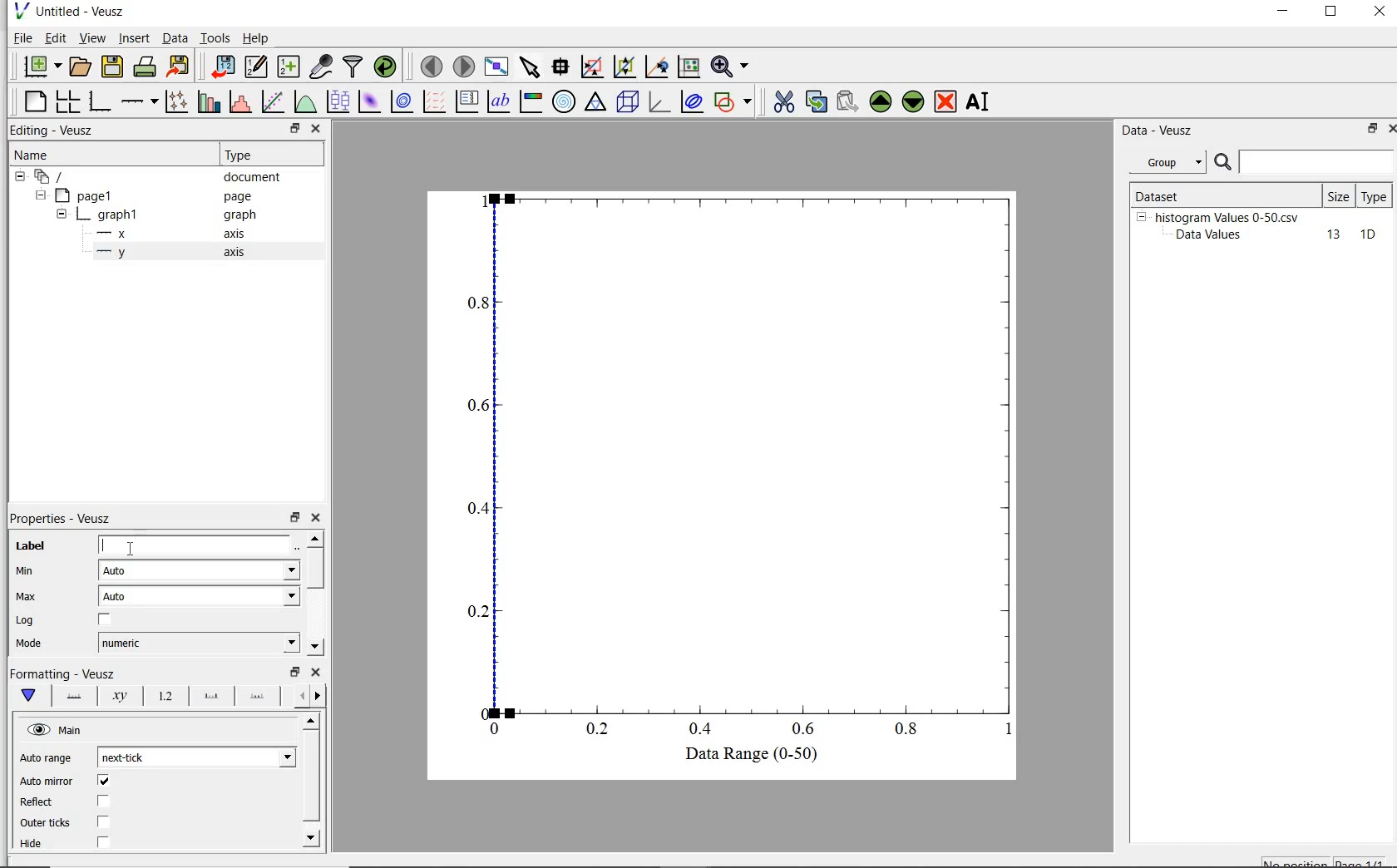 The height and width of the screenshot is (868, 1397). Describe the element at coordinates (314, 647) in the screenshot. I see `move down` at that location.